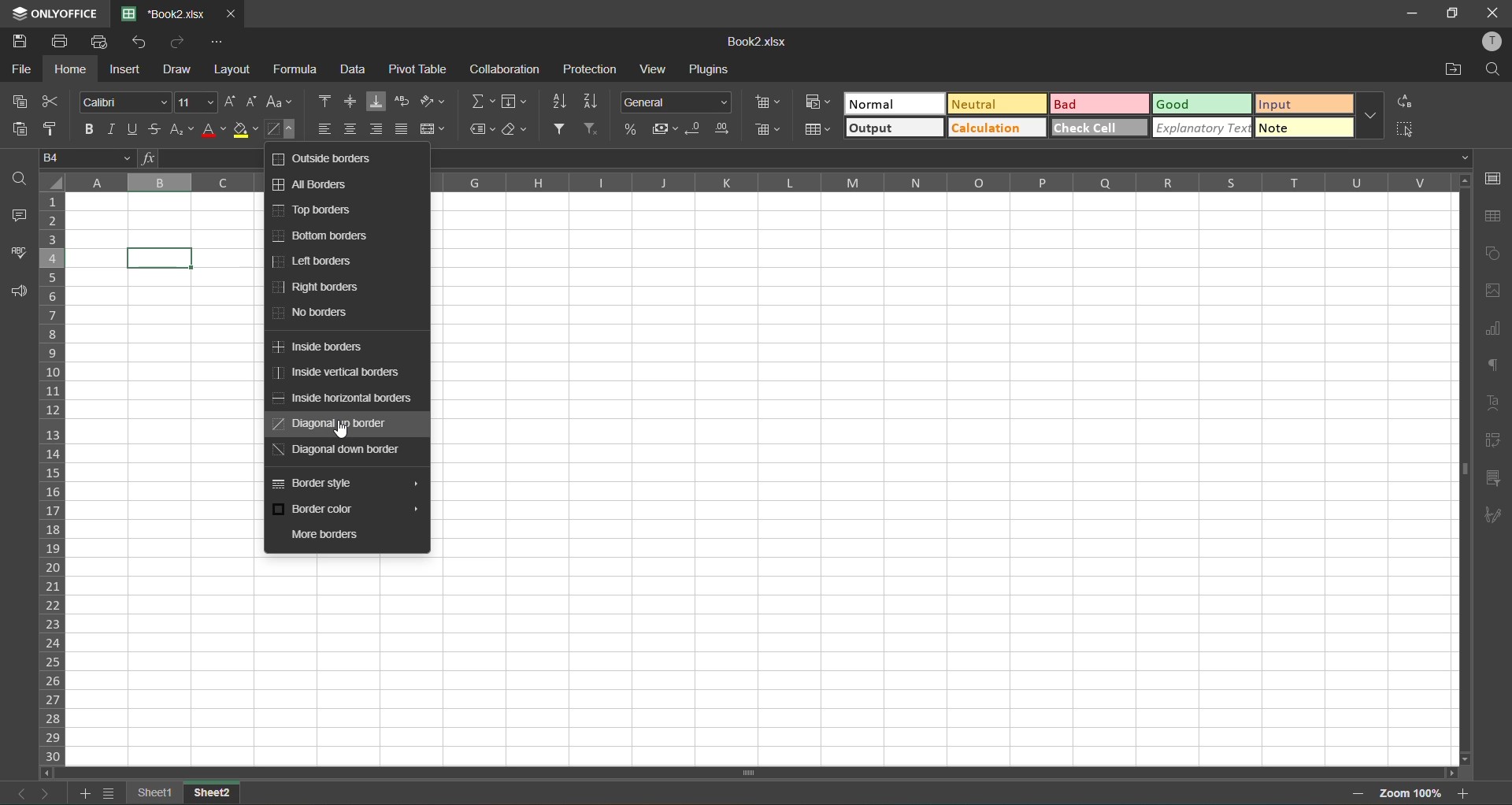  Describe the element at coordinates (324, 160) in the screenshot. I see `outside borders` at that location.